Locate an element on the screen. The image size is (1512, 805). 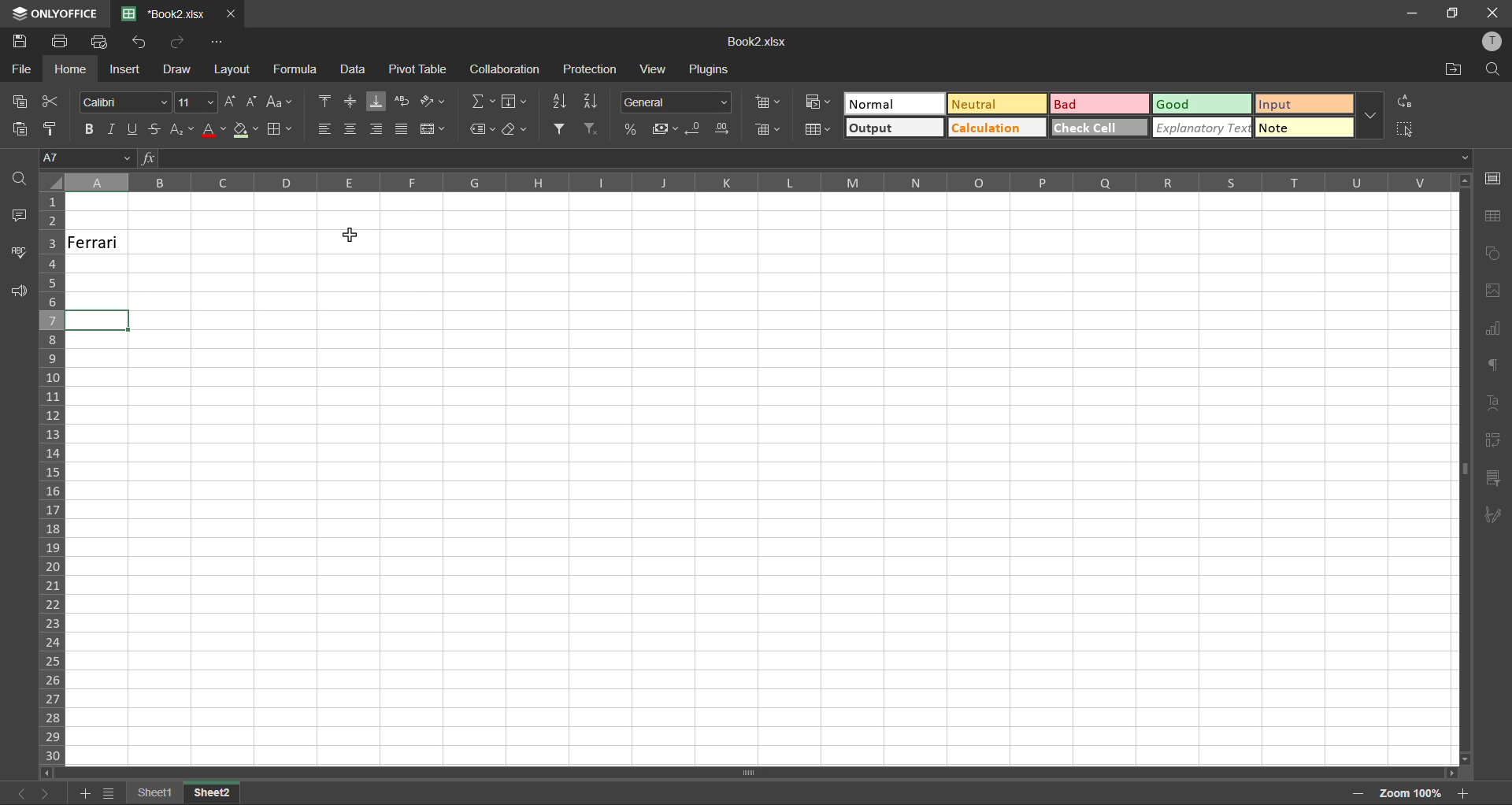
named ranges is located at coordinates (482, 130).